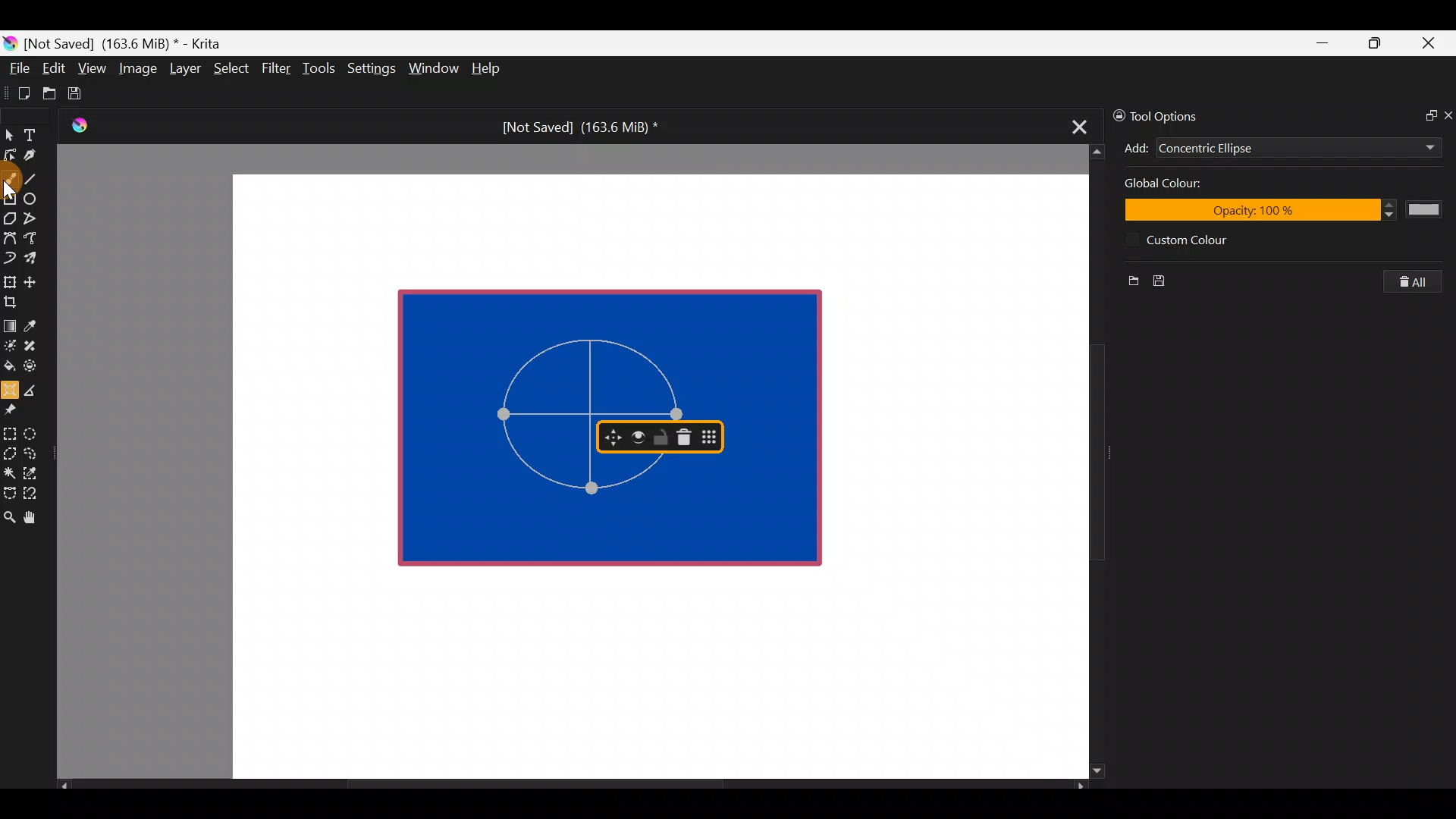 The height and width of the screenshot is (819, 1456). What do you see at coordinates (1447, 115) in the screenshot?
I see `Close docker` at bounding box center [1447, 115].